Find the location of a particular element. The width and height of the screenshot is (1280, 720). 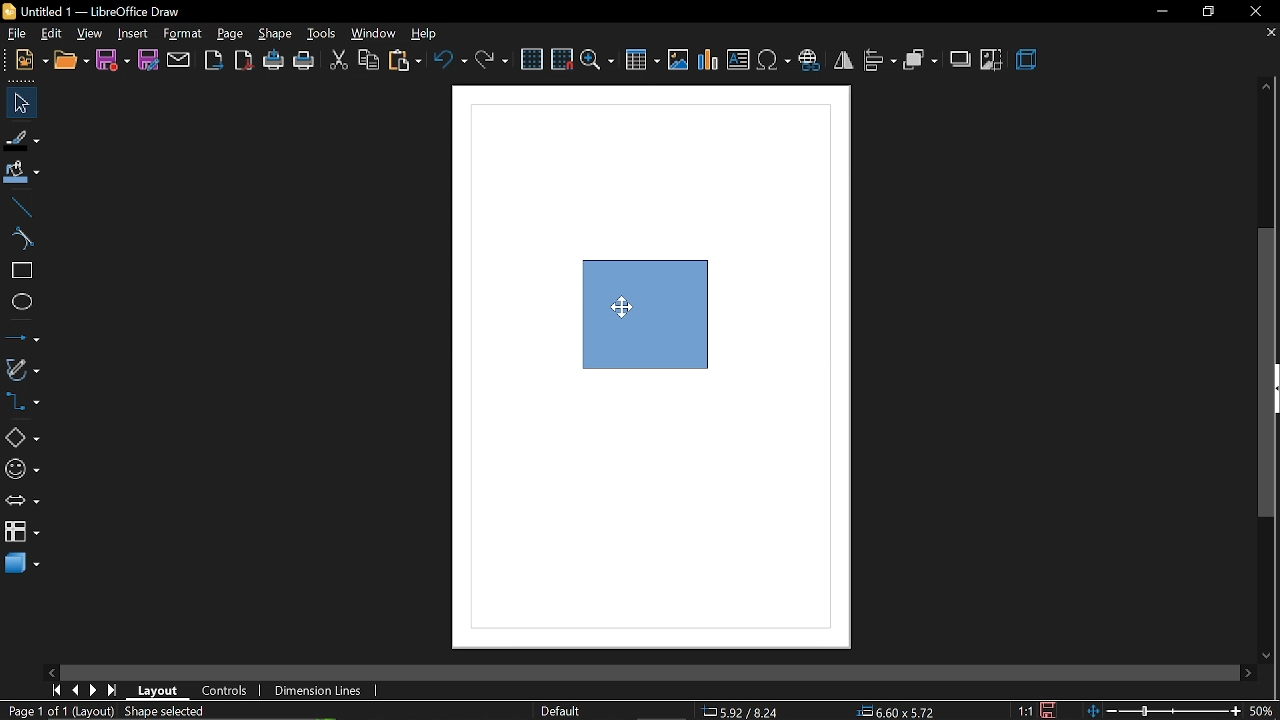

align is located at coordinates (880, 62).